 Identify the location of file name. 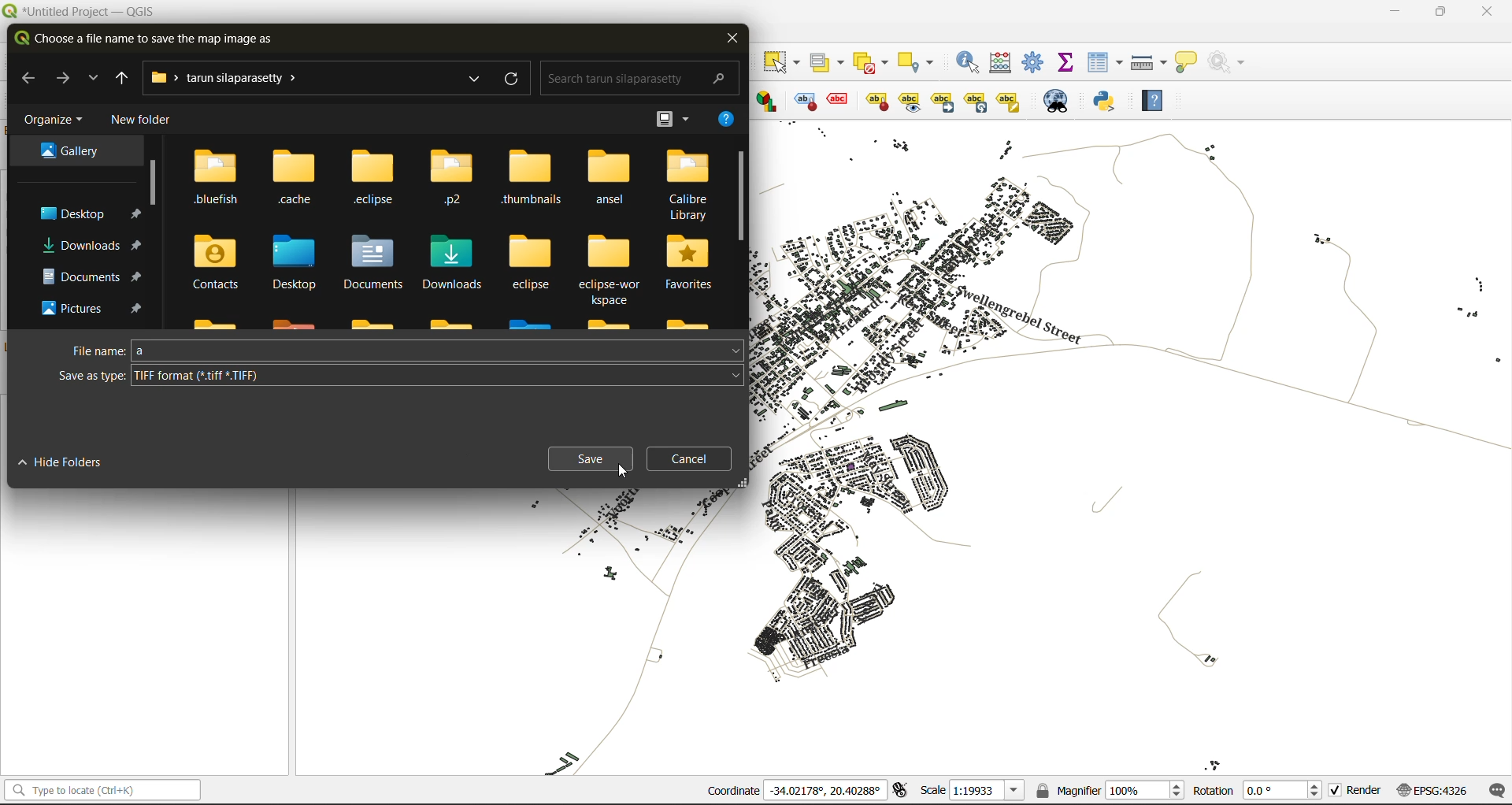
(406, 351).